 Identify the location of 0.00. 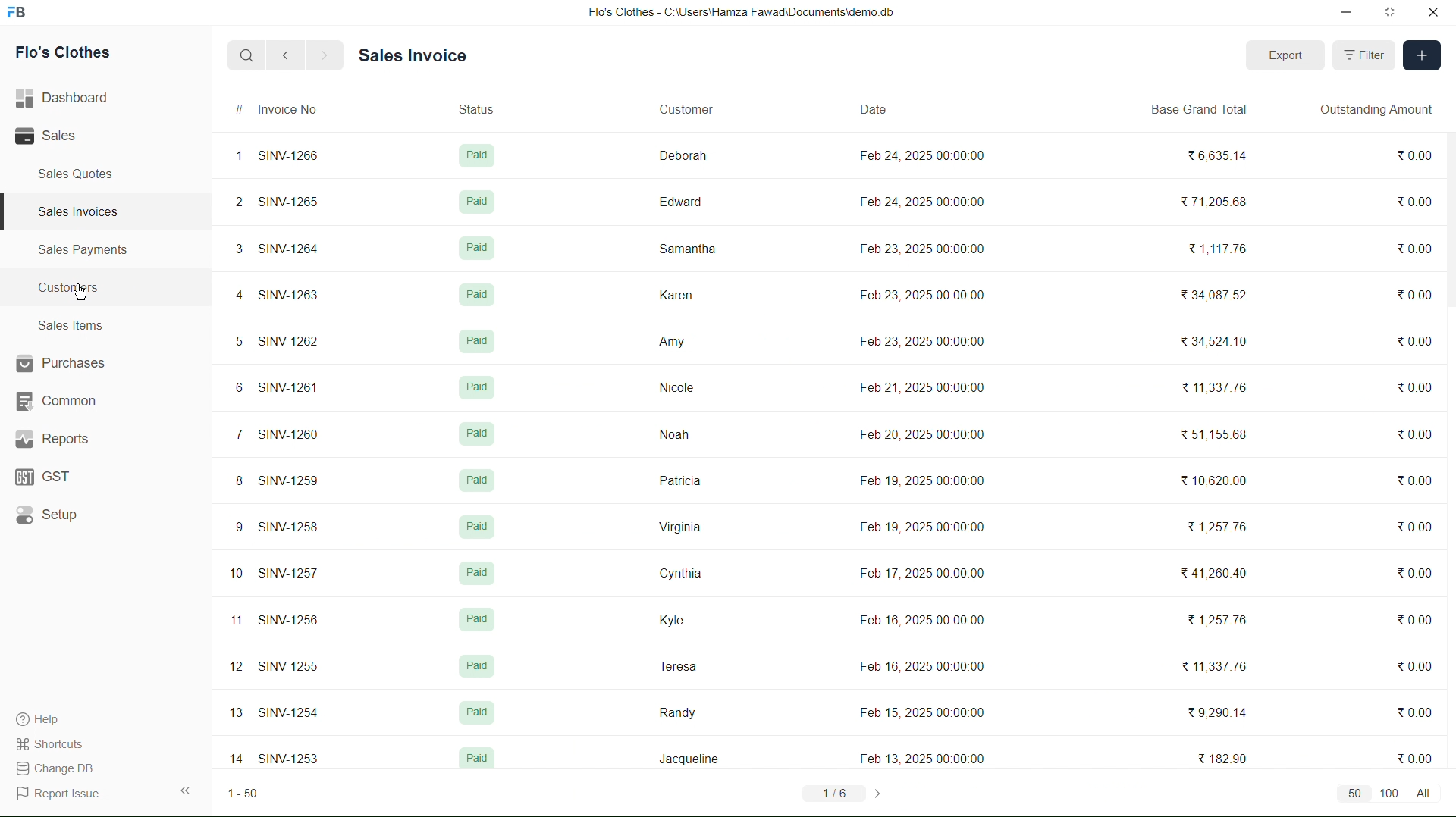
(1420, 755).